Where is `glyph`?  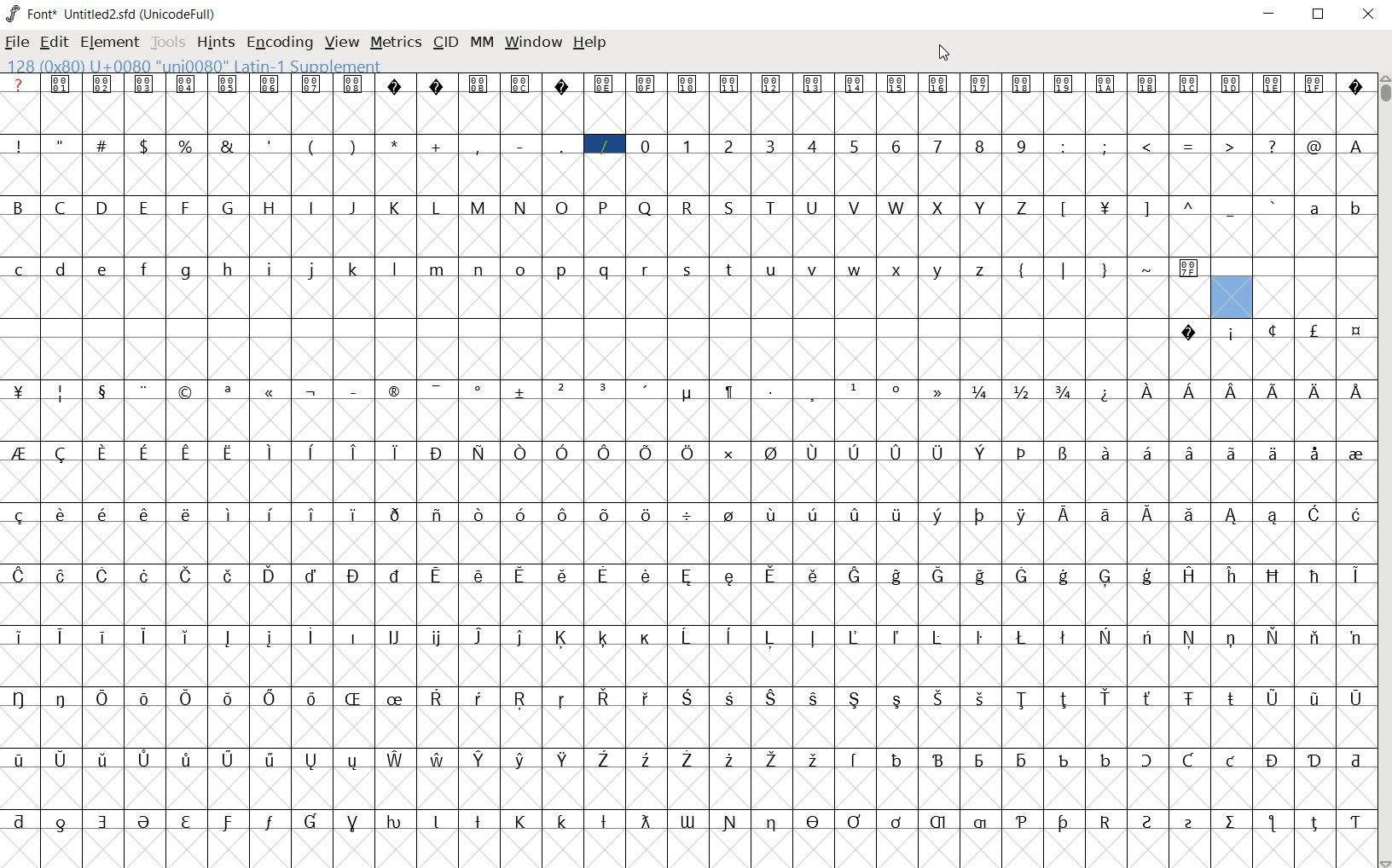 glyph is located at coordinates (393, 269).